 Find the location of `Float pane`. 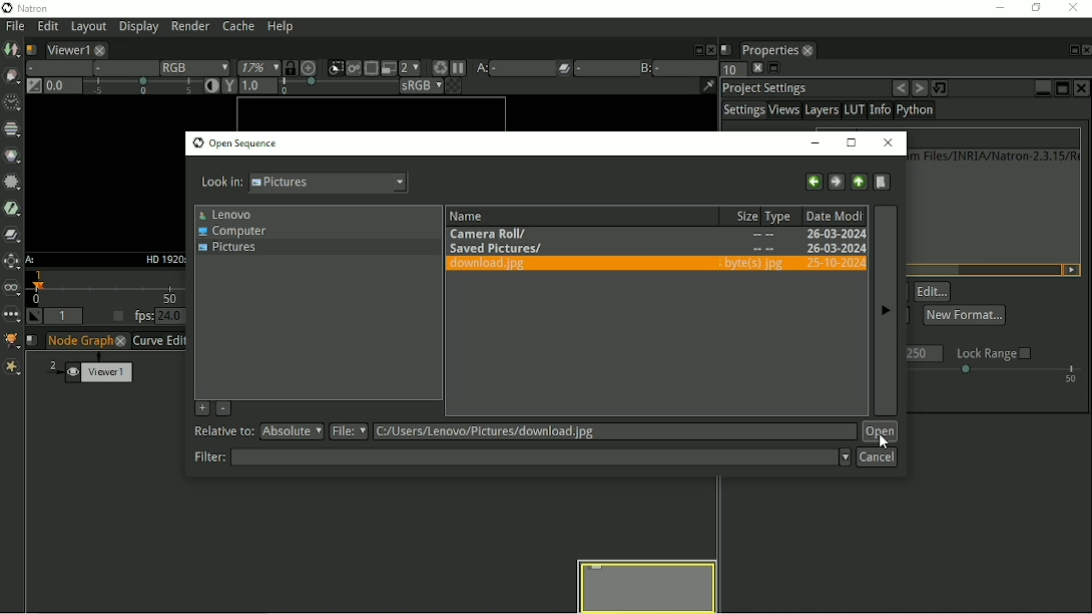

Float pane is located at coordinates (696, 48).